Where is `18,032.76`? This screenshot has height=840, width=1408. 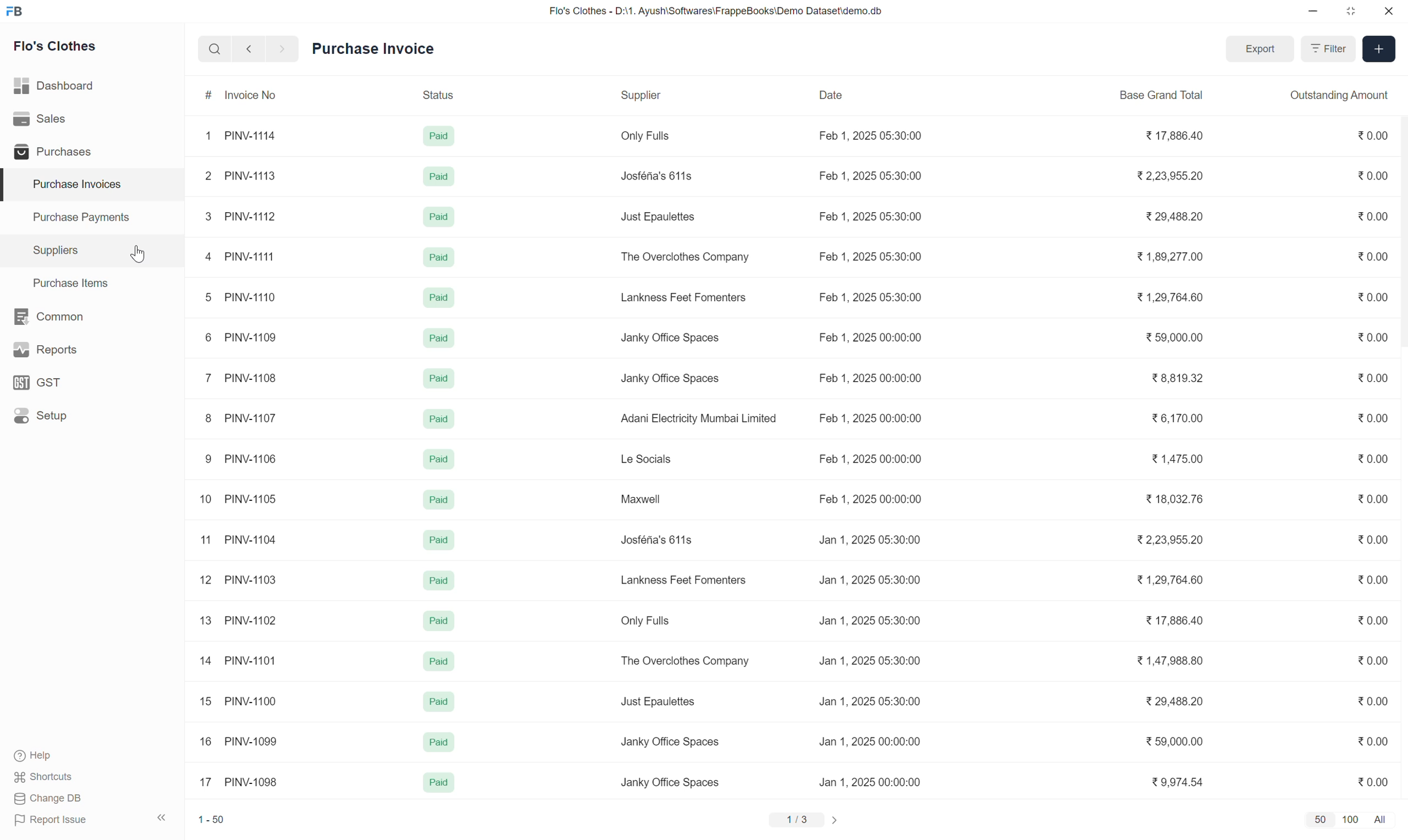
18,032.76 is located at coordinates (1178, 499).